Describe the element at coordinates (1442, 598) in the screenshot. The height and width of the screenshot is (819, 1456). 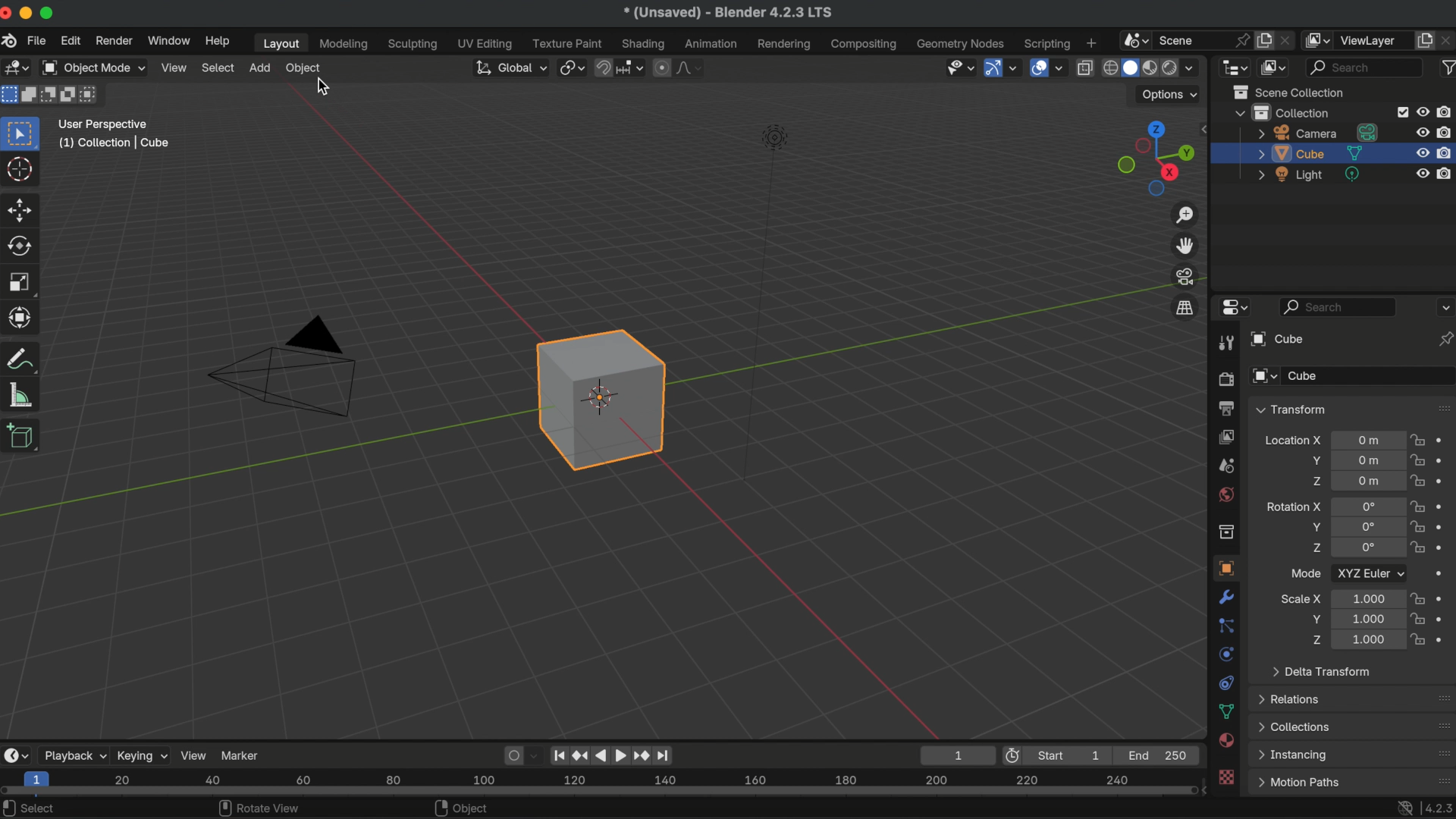
I see `animate property` at that location.